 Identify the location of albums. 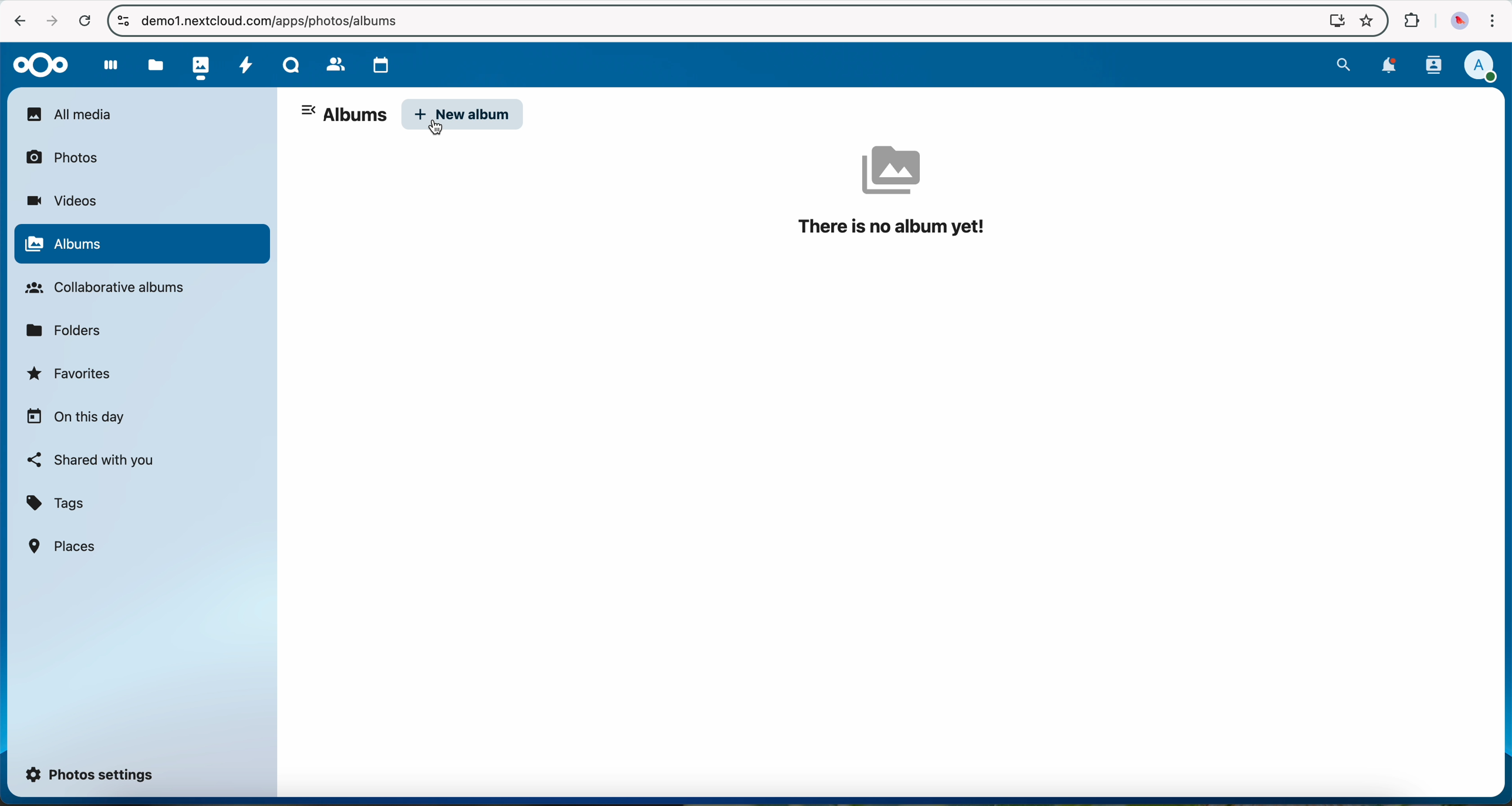
(355, 116).